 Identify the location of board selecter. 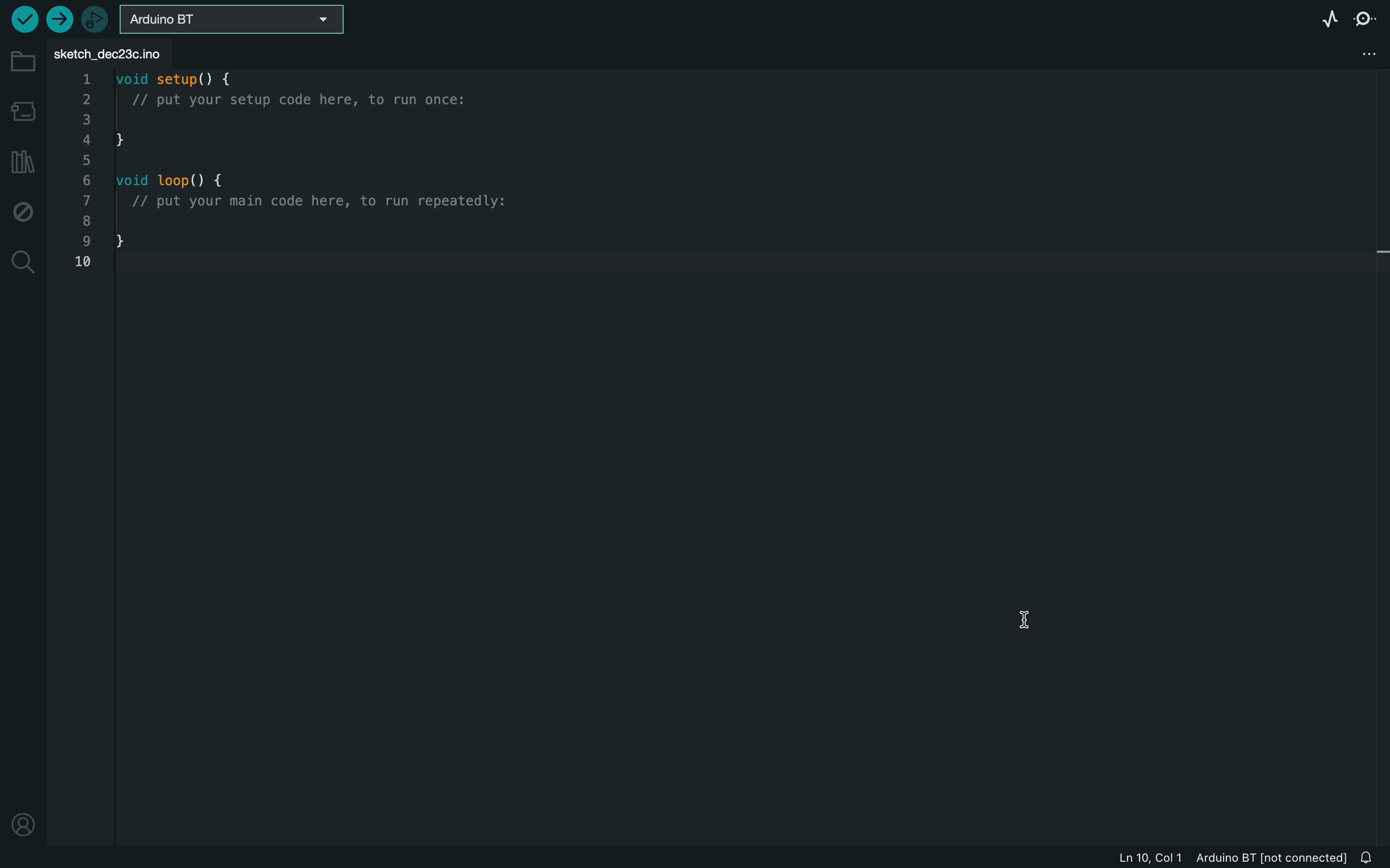
(228, 21).